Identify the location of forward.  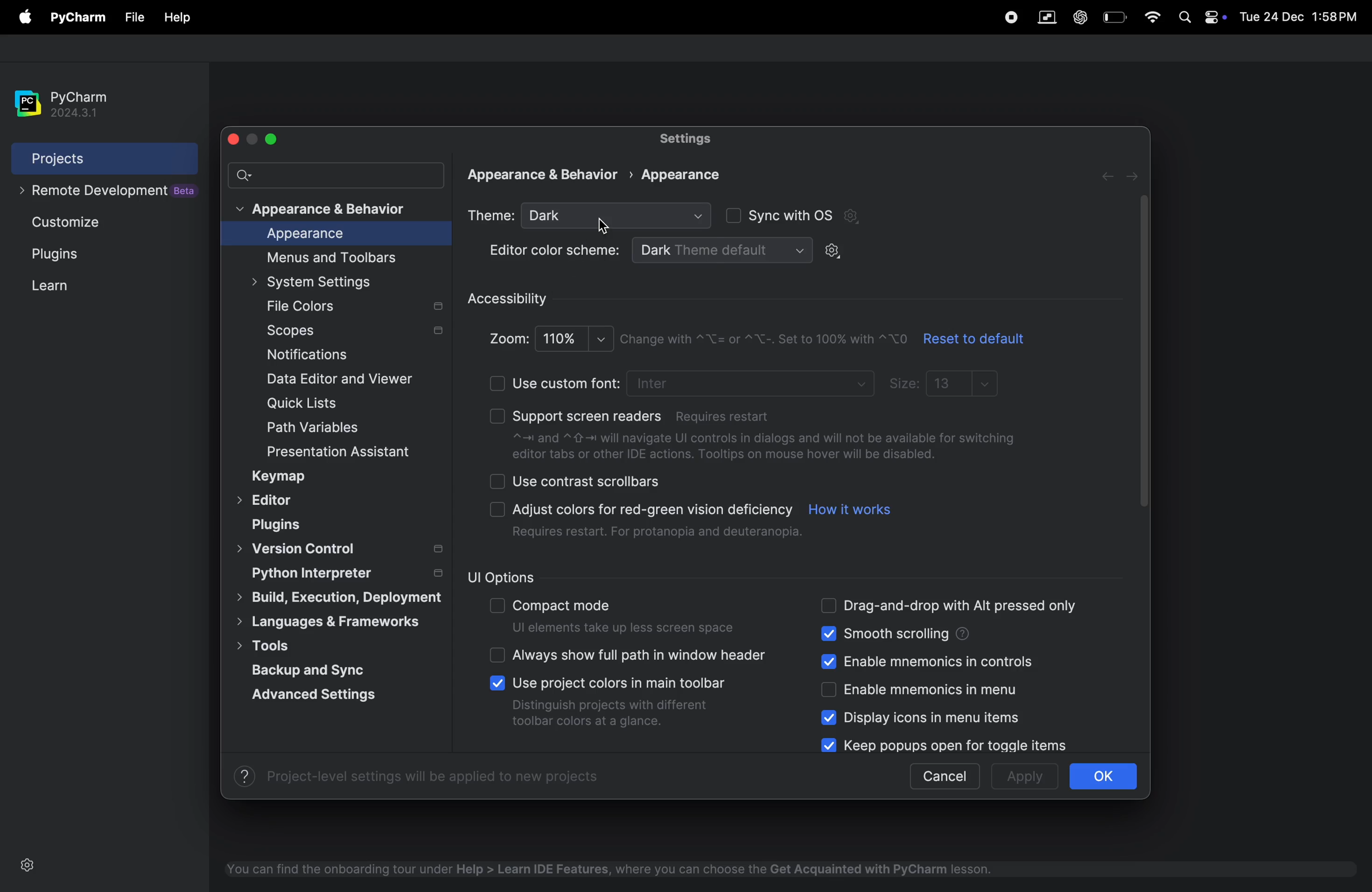
(1105, 176).